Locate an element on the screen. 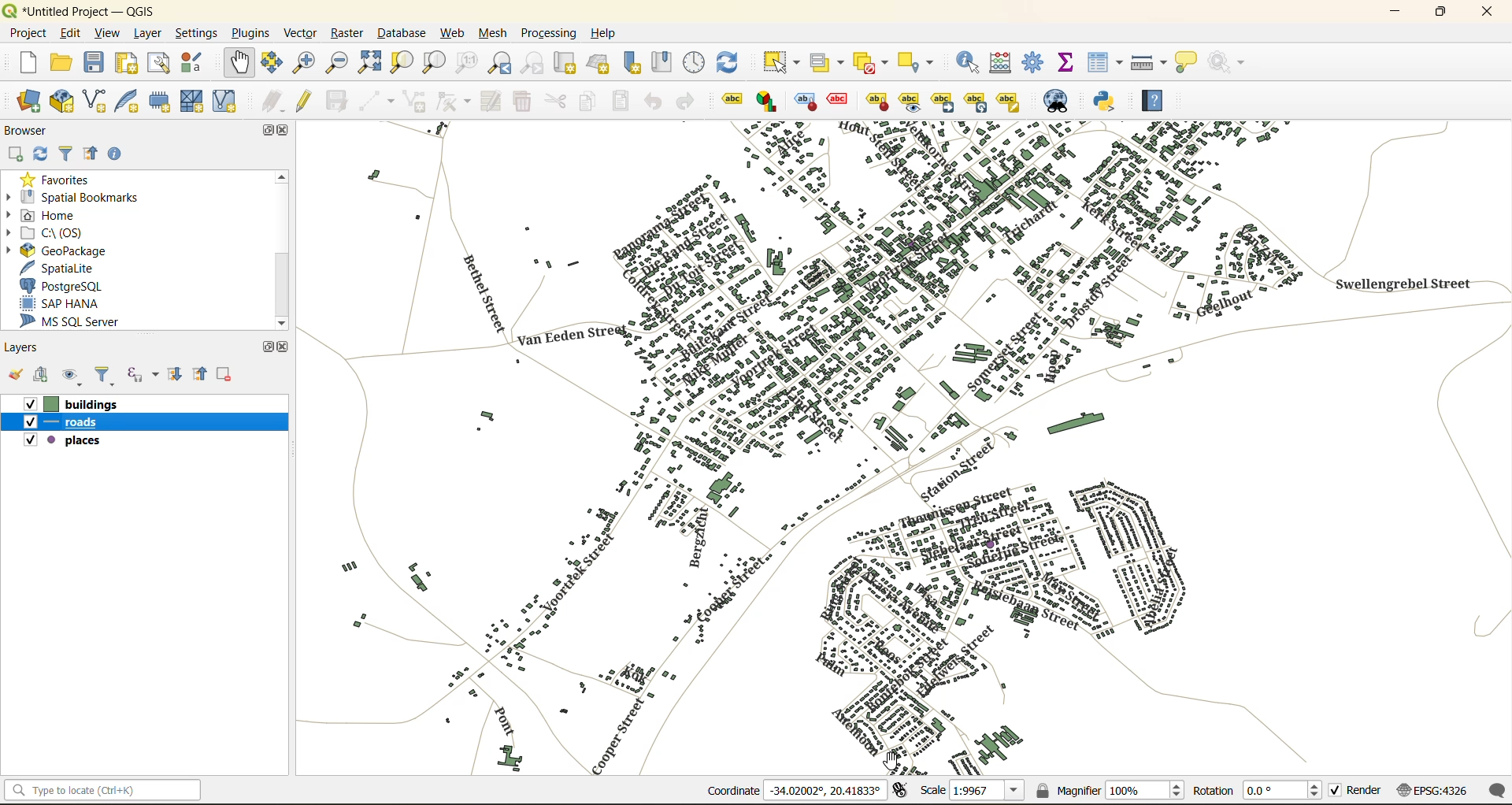 The image size is (1512, 805). edit is located at coordinates (72, 35).